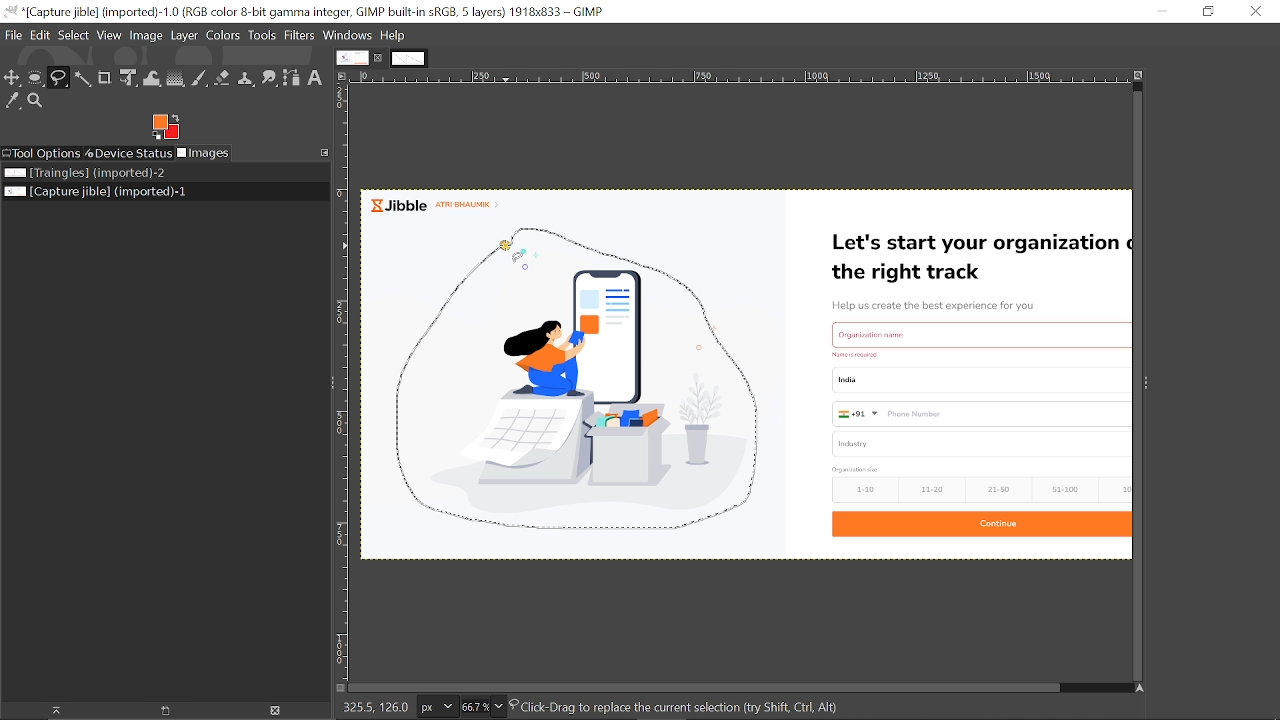  What do you see at coordinates (349, 36) in the screenshot?
I see `Windows` at bounding box center [349, 36].